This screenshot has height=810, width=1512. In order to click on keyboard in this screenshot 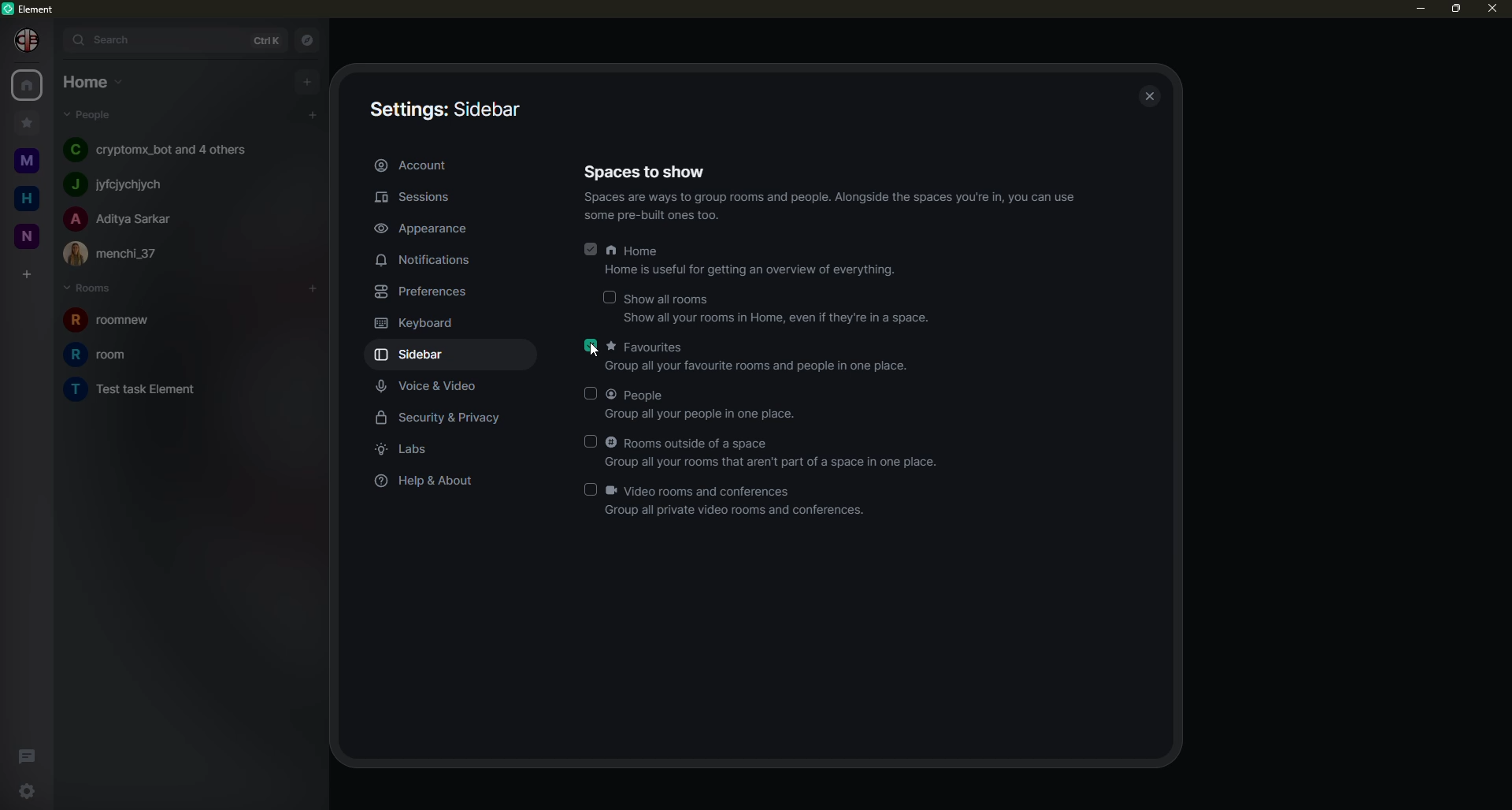, I will do `click(416, 321)`.